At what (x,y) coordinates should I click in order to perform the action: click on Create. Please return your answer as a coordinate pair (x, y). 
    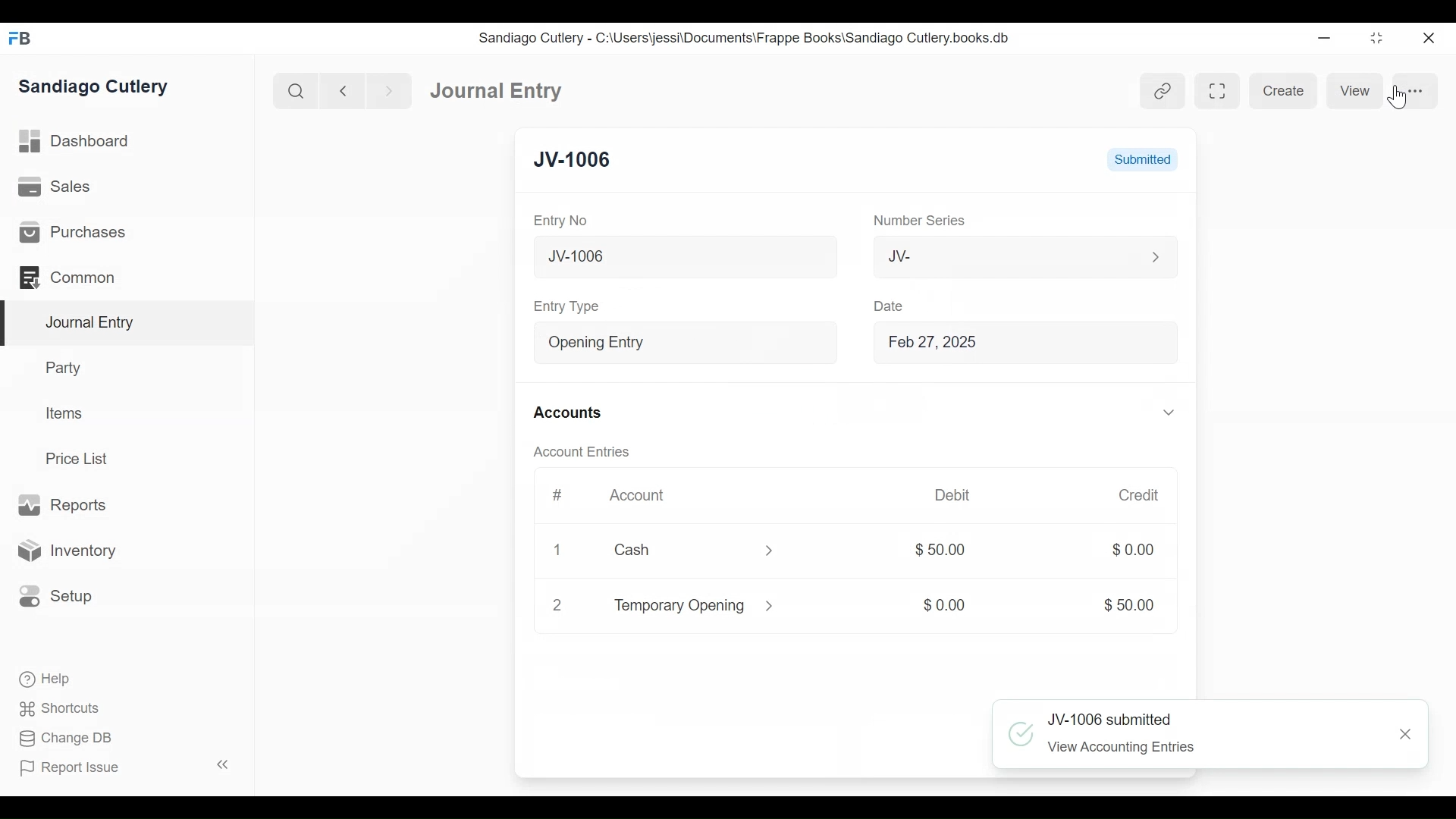
    Looking at the image, I should click on (1285, 91).